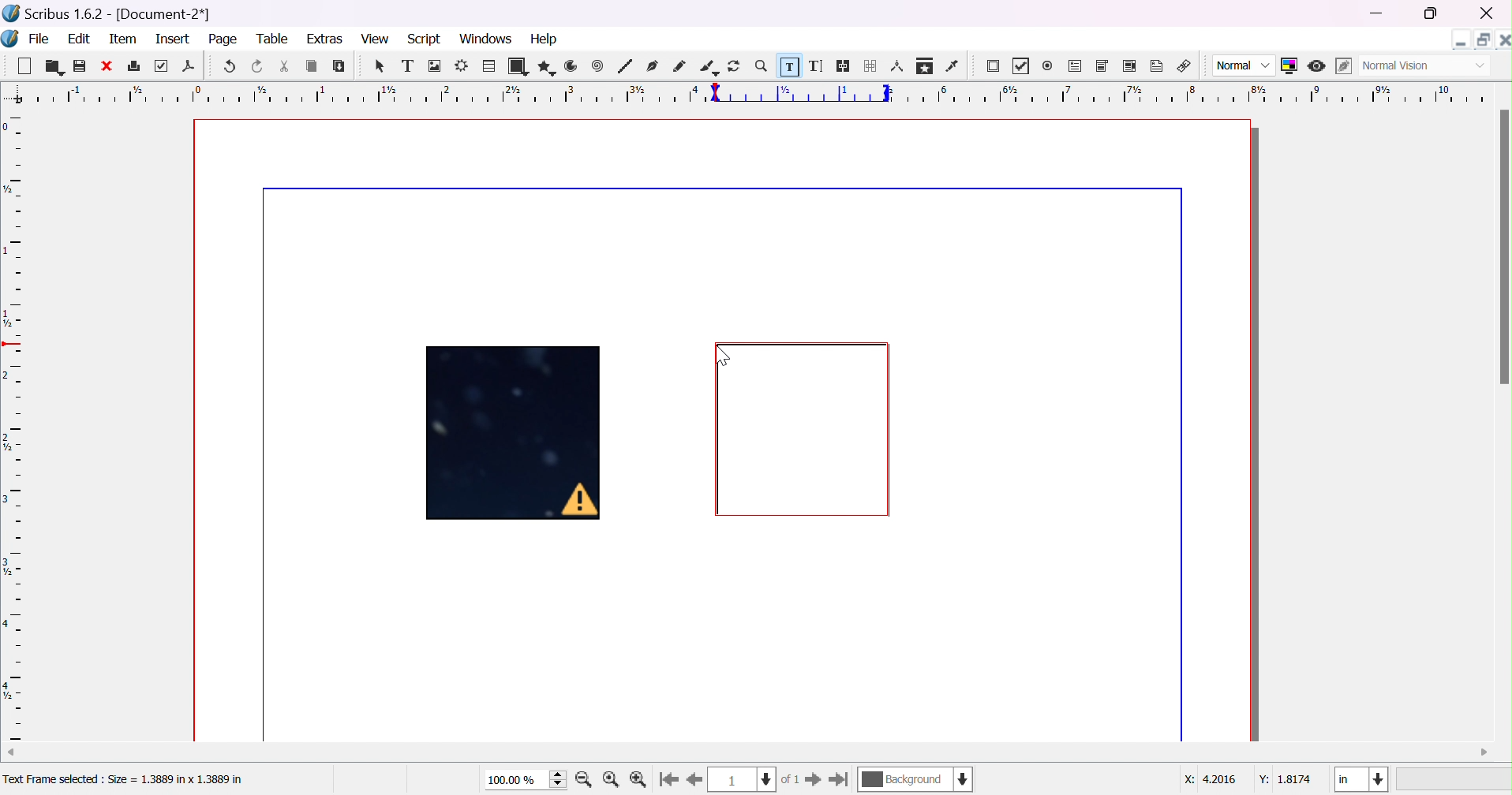 This screenshot has width=1512, height=795. Describe the element at coordinates (995, 68) in the screenshot. I see `PDF push button` at that location.